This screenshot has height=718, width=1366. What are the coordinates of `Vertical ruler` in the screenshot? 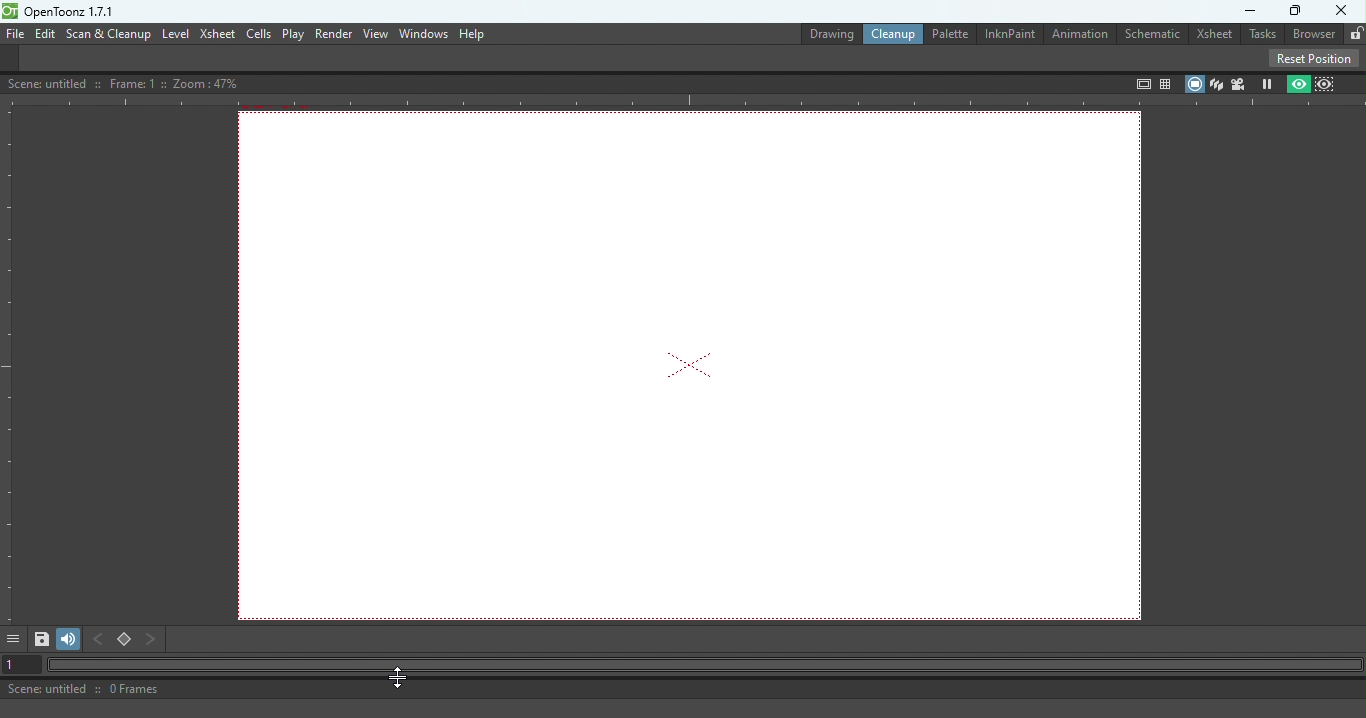 It's located at (9, 364).